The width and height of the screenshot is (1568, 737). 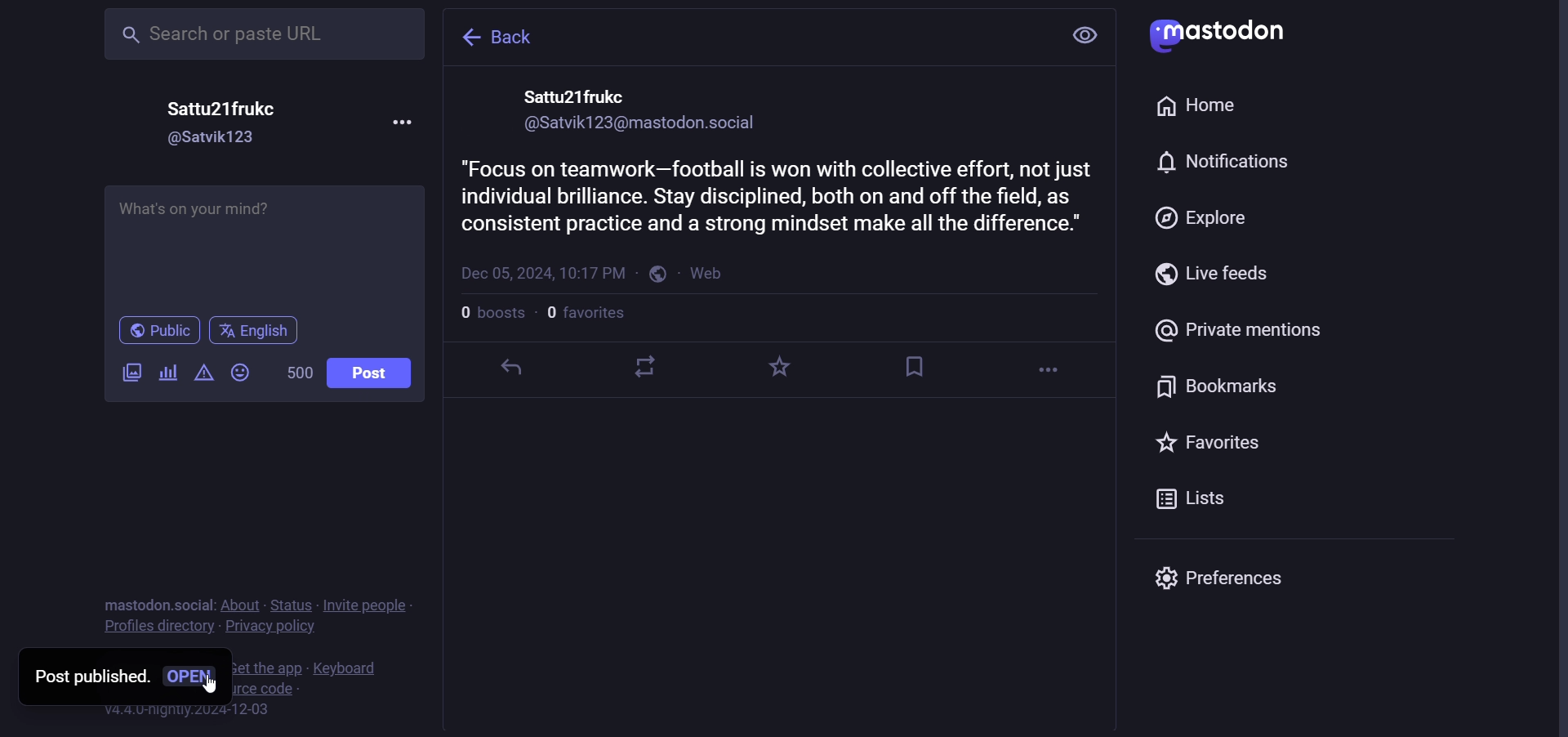 I want to click on content warning, so click(x=204, y=378).